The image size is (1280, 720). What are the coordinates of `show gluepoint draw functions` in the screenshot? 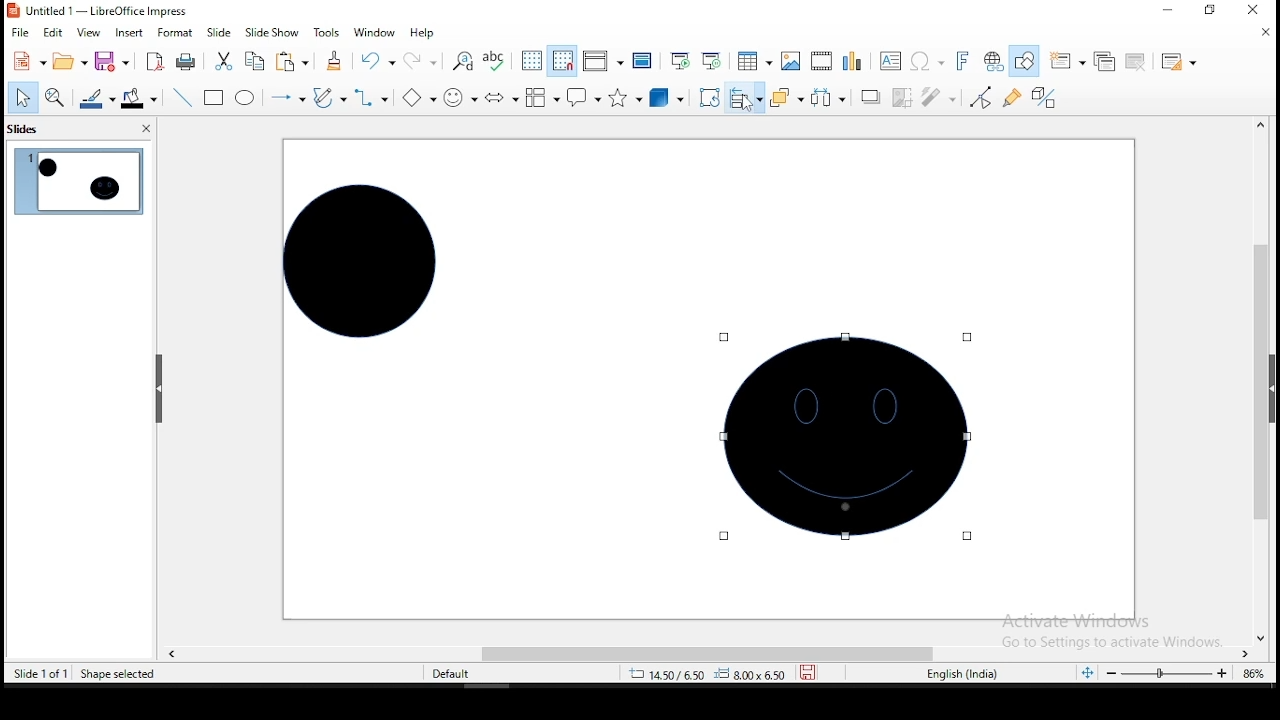 It's located at (1014, 97).